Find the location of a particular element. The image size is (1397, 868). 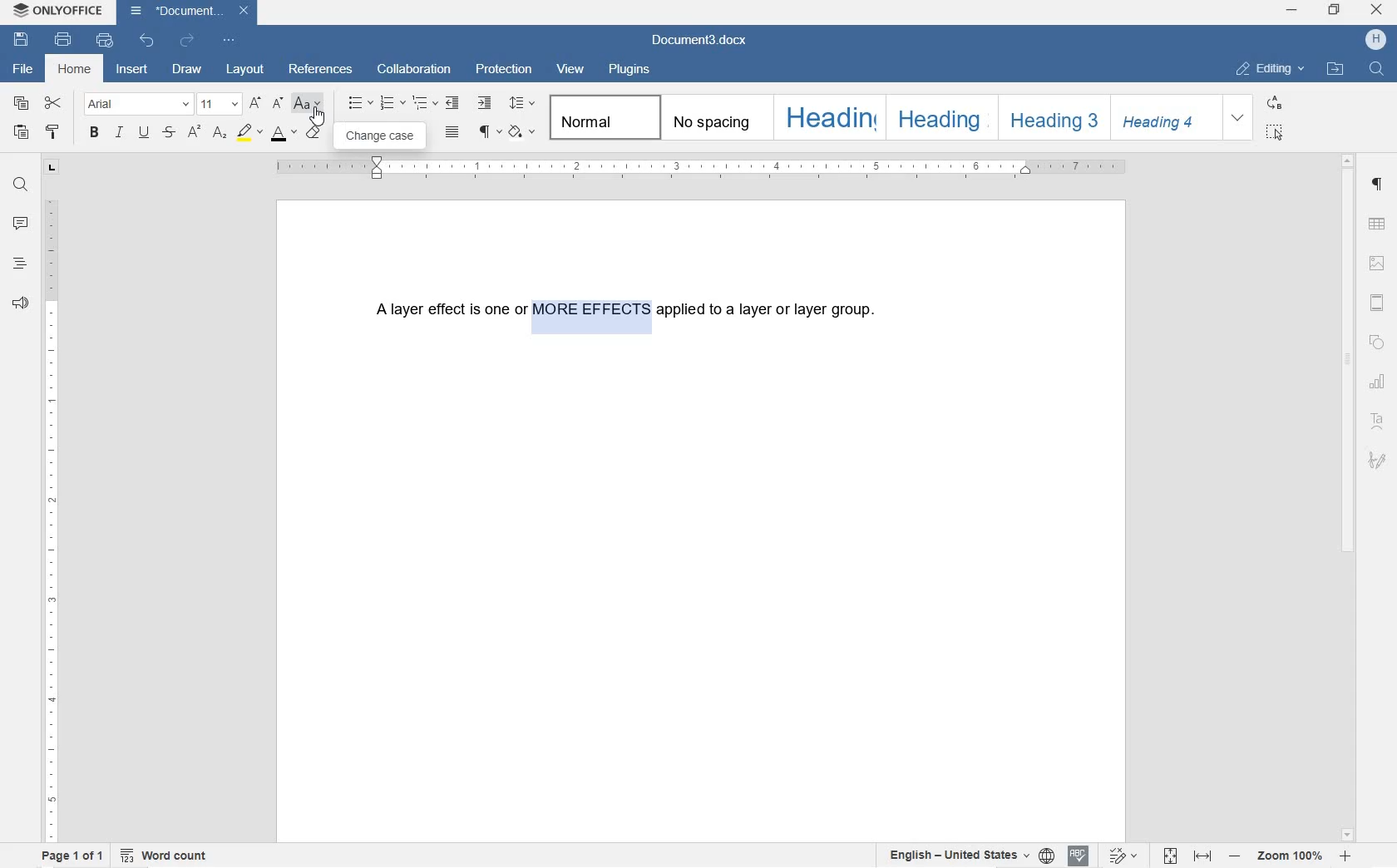

EXPAND FORMATTING STYLE is located at coordinates (1241, 118).